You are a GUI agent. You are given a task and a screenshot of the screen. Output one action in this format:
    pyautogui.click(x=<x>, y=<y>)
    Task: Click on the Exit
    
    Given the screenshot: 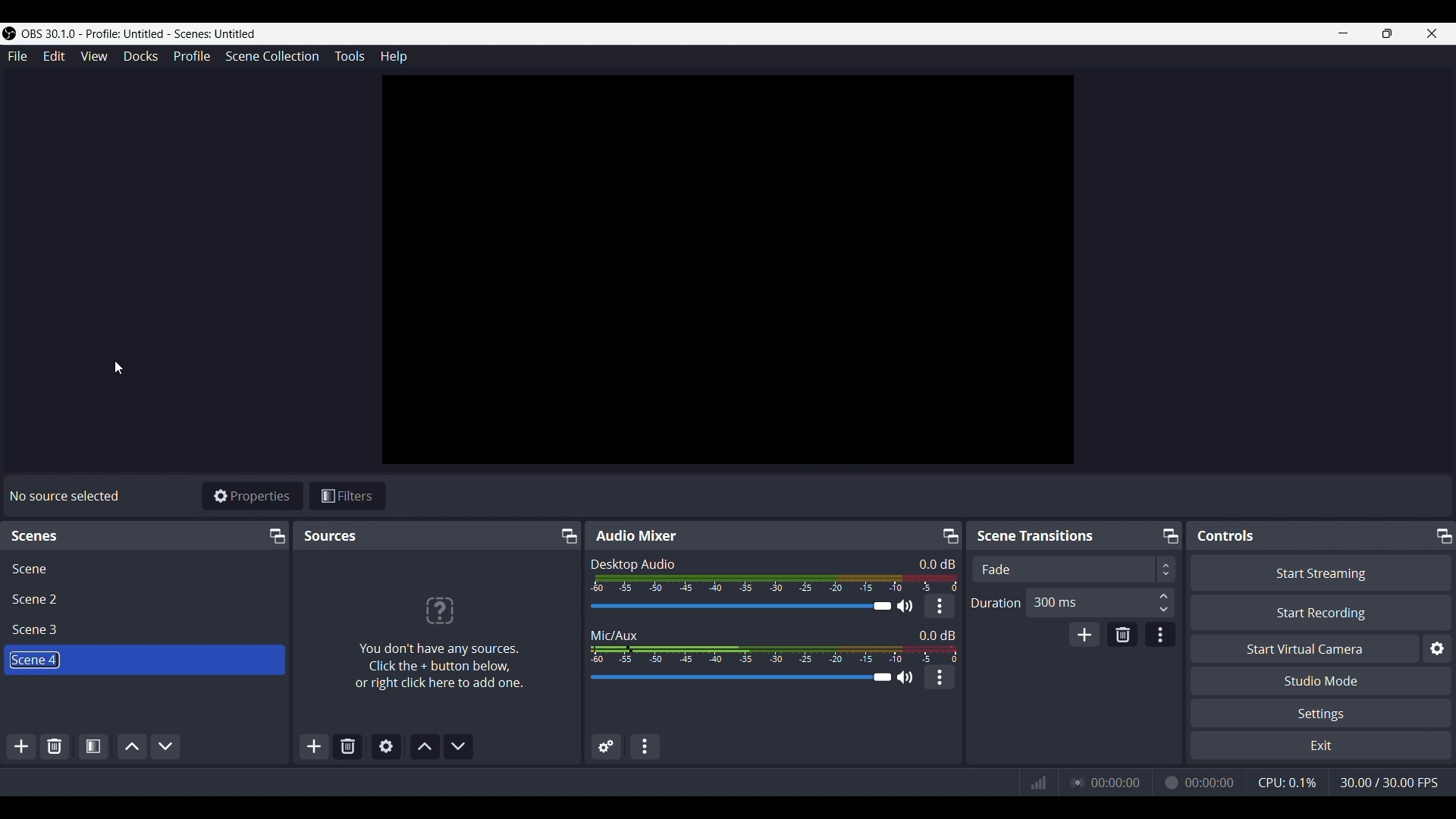 What is the action you would take?
    pyautogui.click(x=1319, y=746)
    